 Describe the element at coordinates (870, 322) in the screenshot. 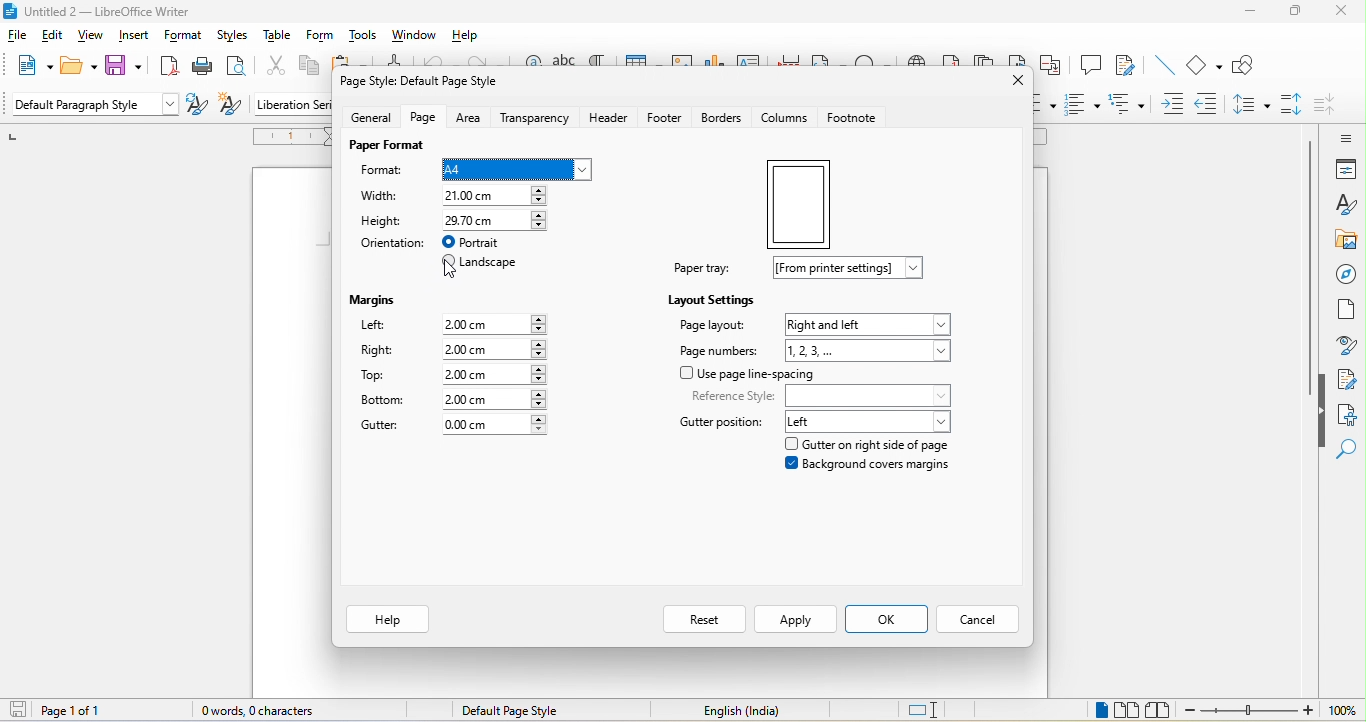

I see `right and left` at that location.